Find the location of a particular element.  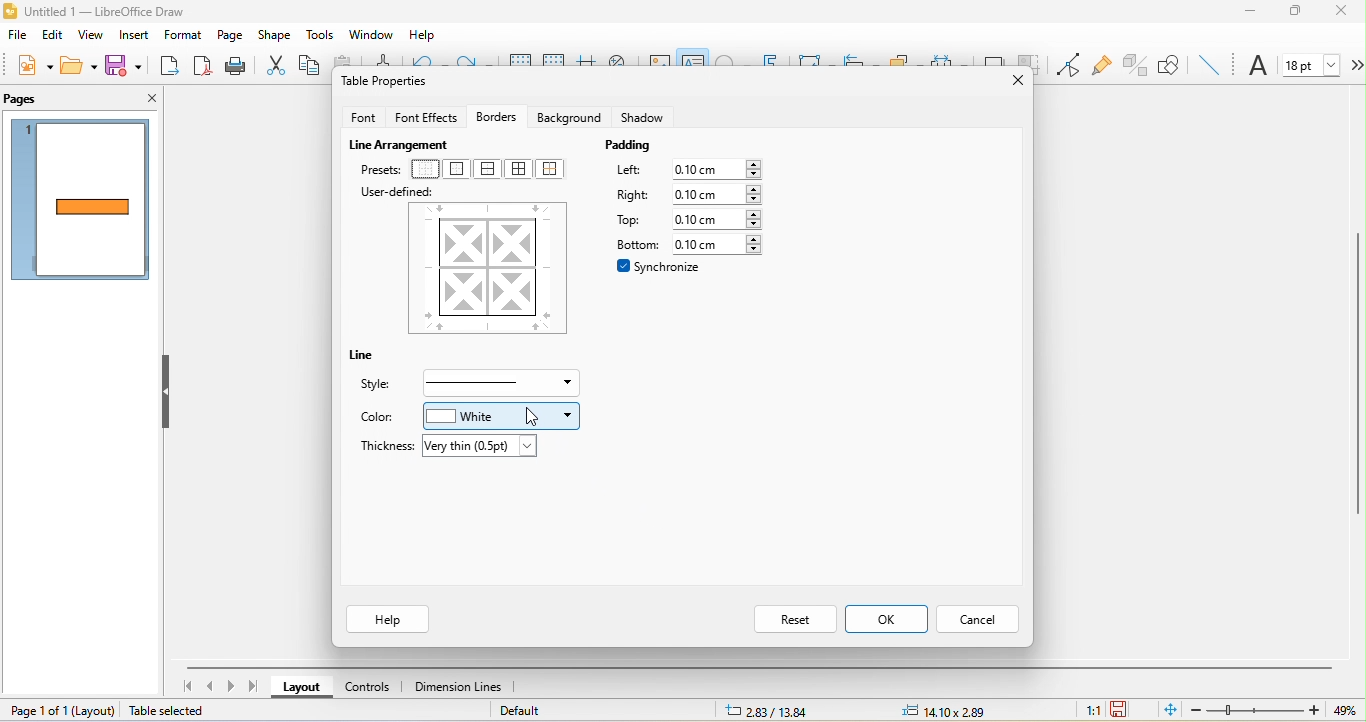

0.10 cm is located at coordinates (720, 216).